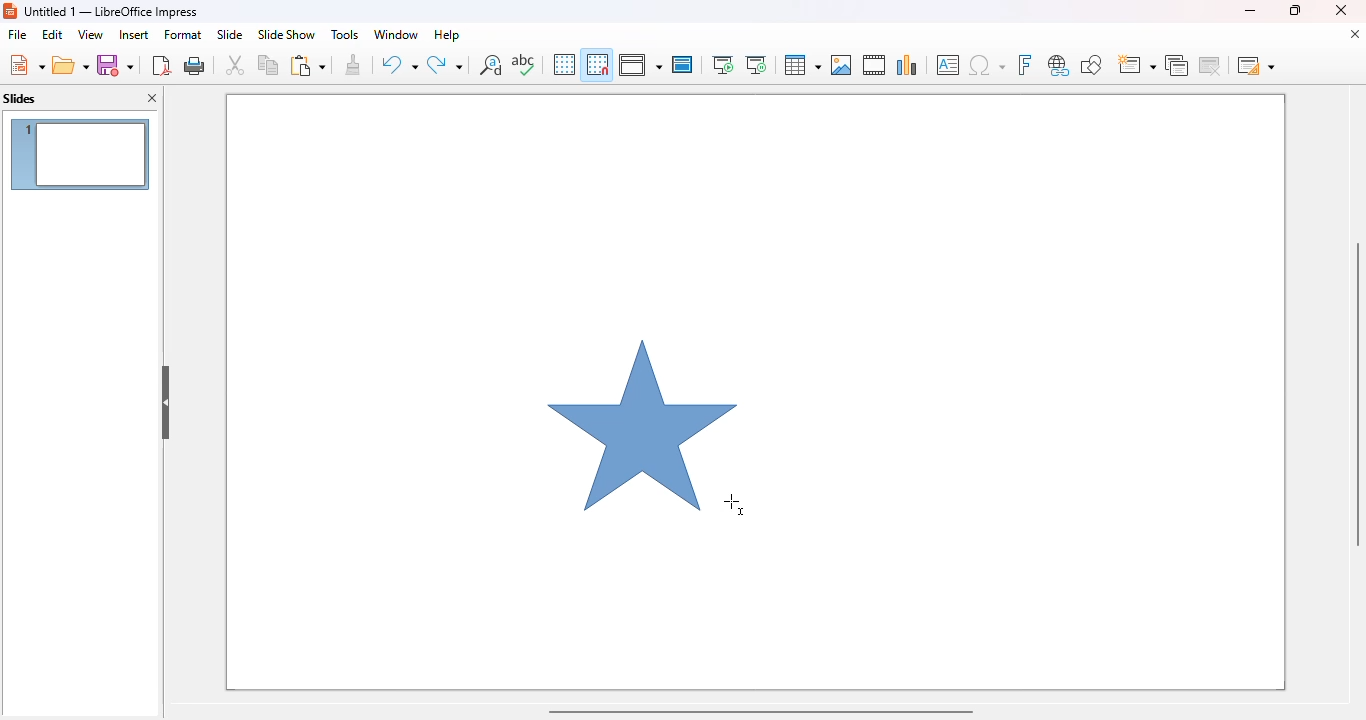  I want to click on paste, so click(307, 65).